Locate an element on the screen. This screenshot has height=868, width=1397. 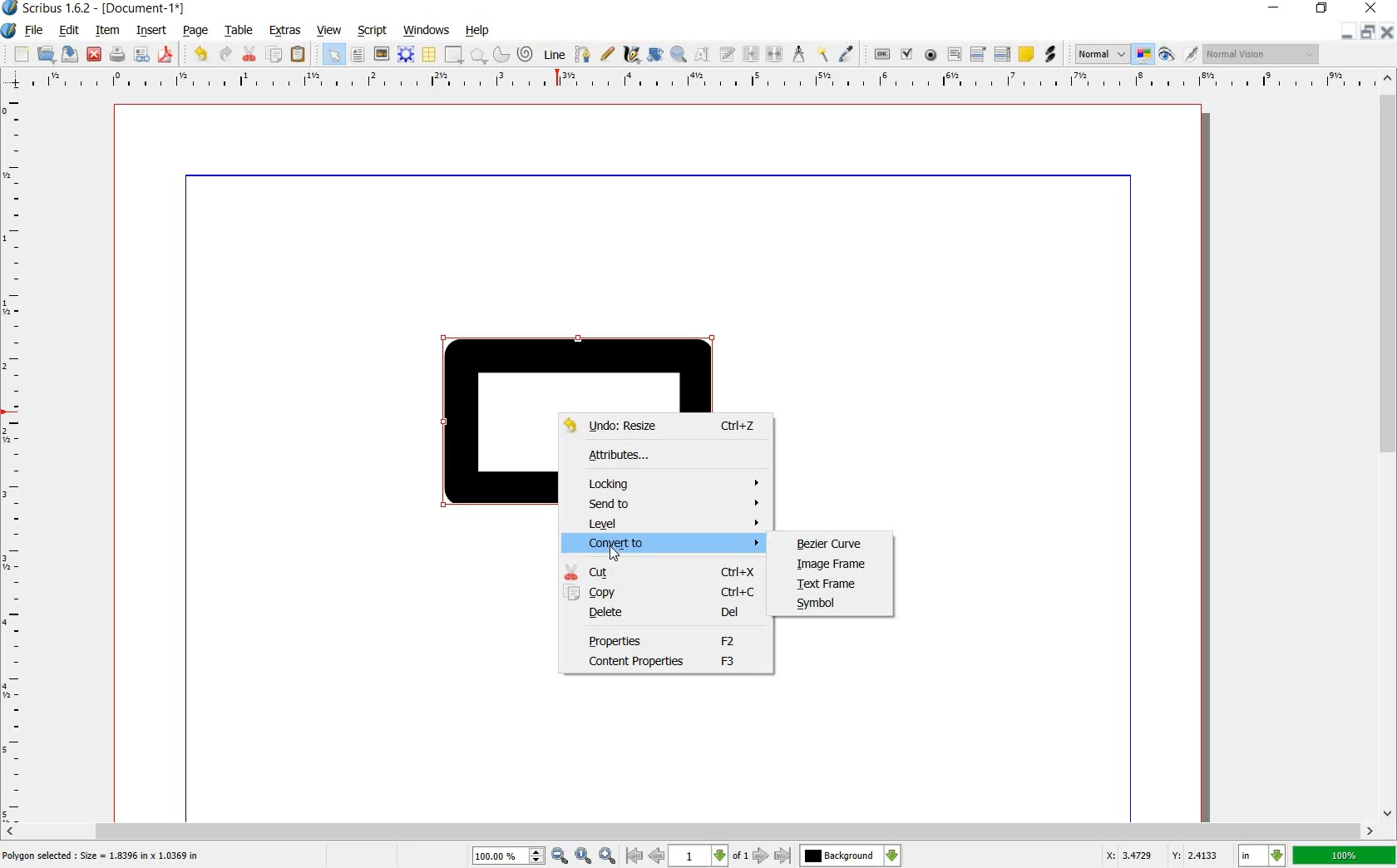
edit in preview mode is located at coordinates (1177, 55).